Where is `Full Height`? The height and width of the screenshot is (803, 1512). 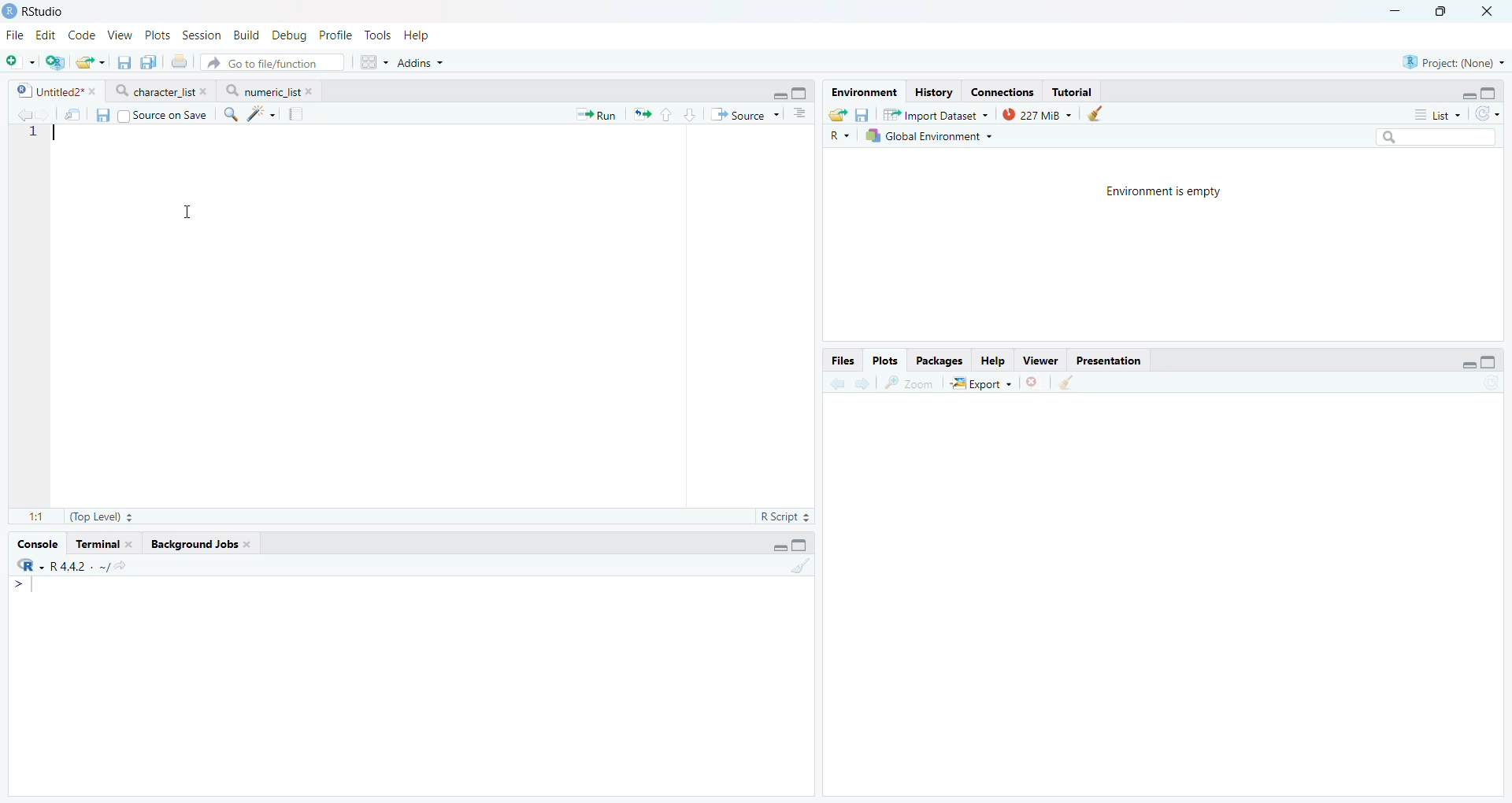 Full Height is located at coordinates (801, 544).